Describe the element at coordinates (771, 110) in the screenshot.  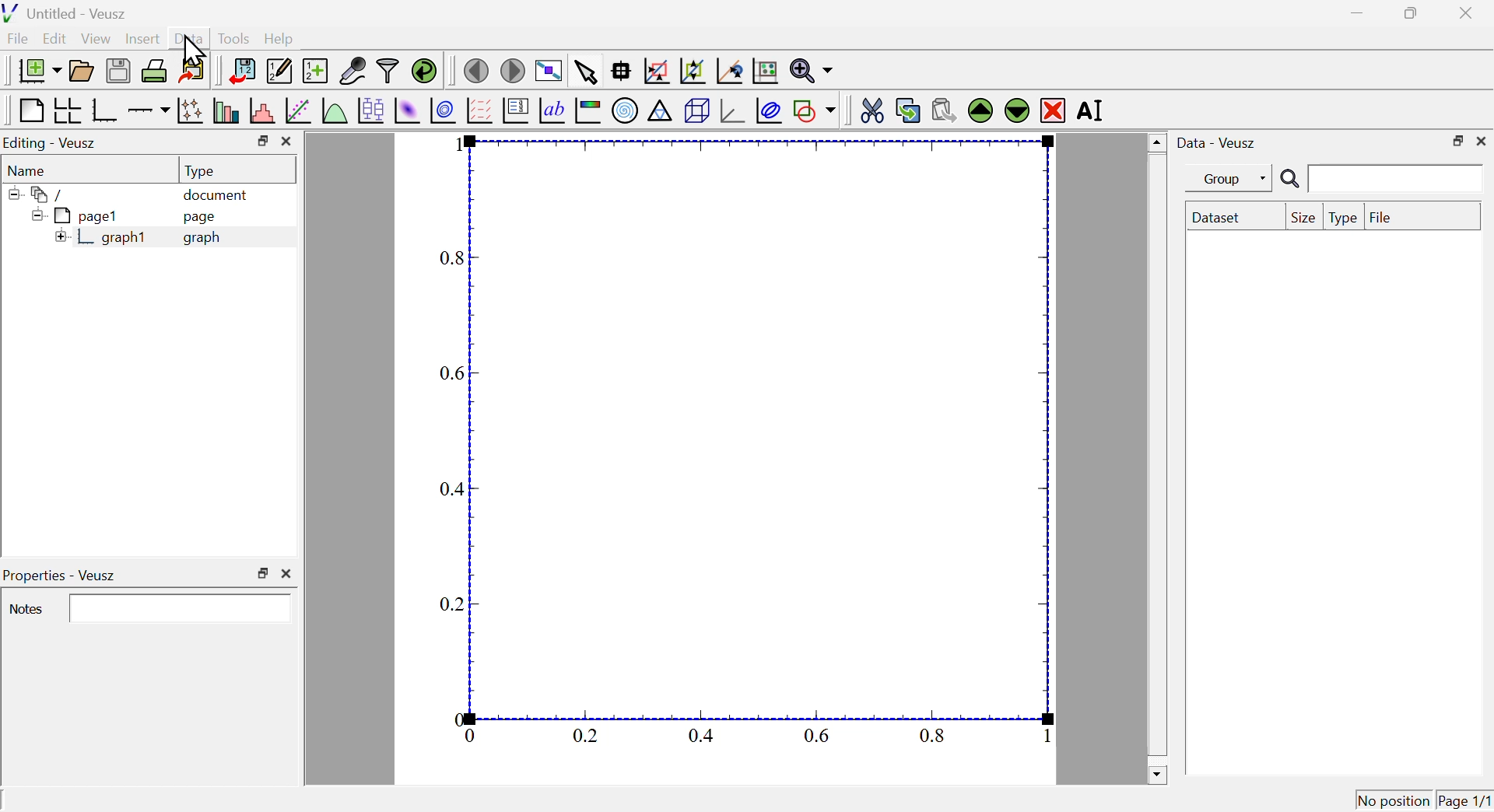
I see `plot covariance llipses` at that location.